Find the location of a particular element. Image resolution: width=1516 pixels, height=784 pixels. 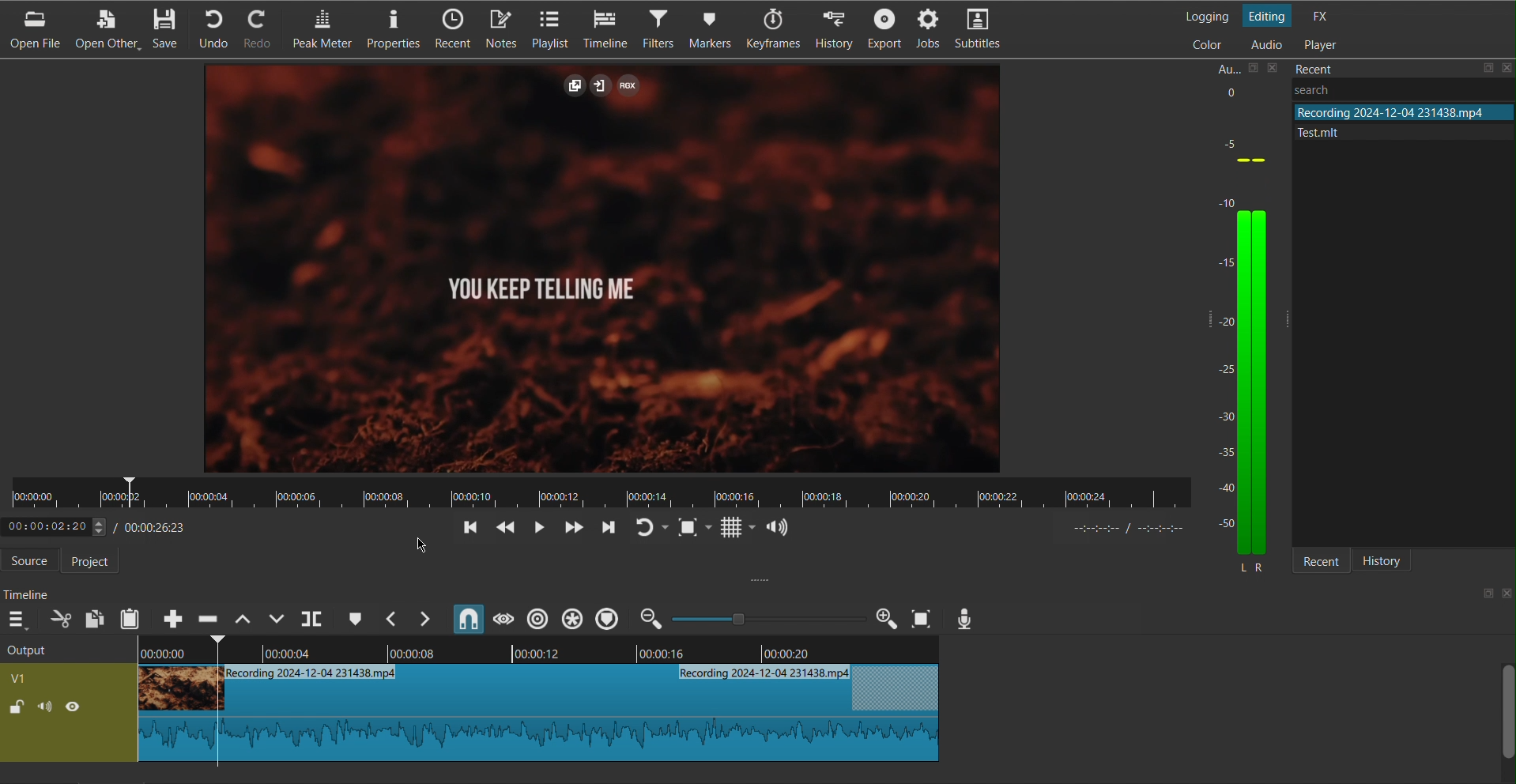

file is located at coordinates (1401, 111).